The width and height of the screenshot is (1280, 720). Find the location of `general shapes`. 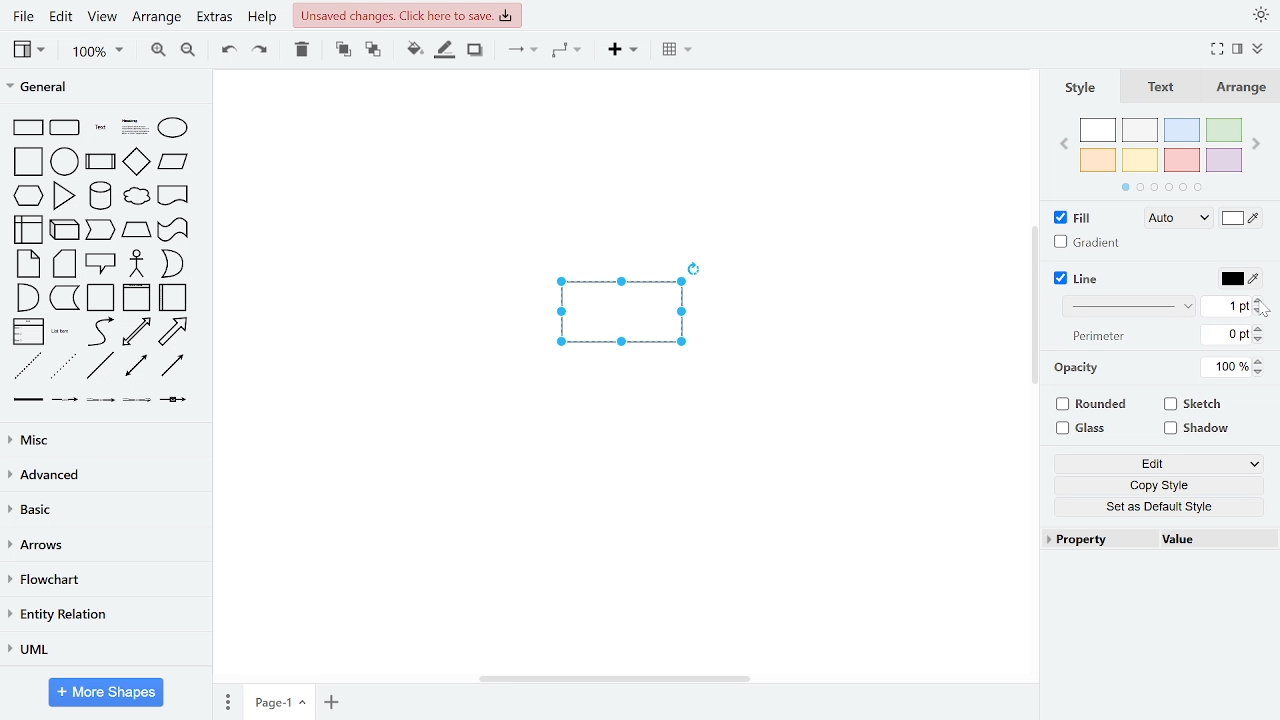

general shapes is located at coordinates (29, 398).